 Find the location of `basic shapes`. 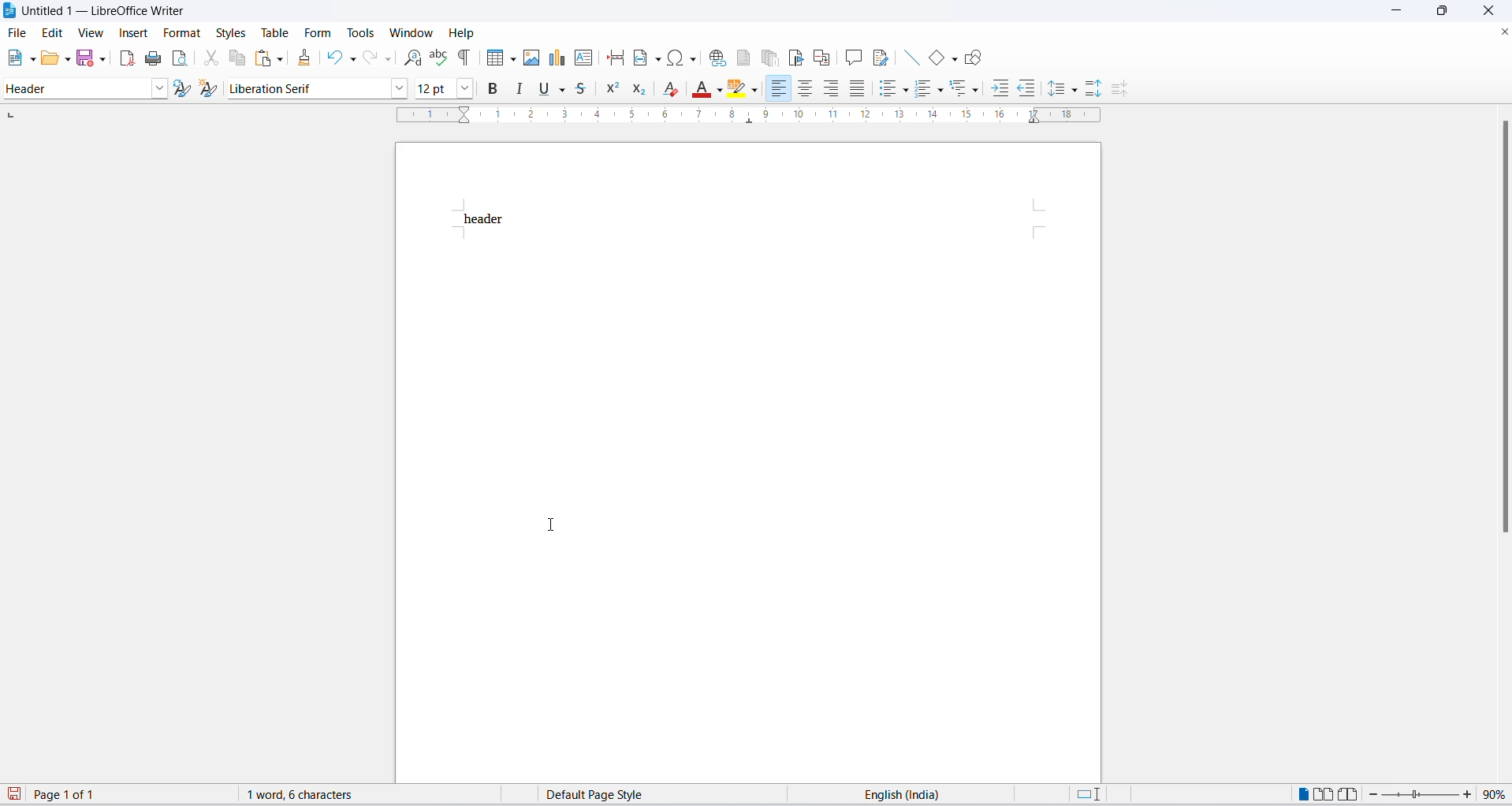

basic shapes is located at coordinates (931, 54).